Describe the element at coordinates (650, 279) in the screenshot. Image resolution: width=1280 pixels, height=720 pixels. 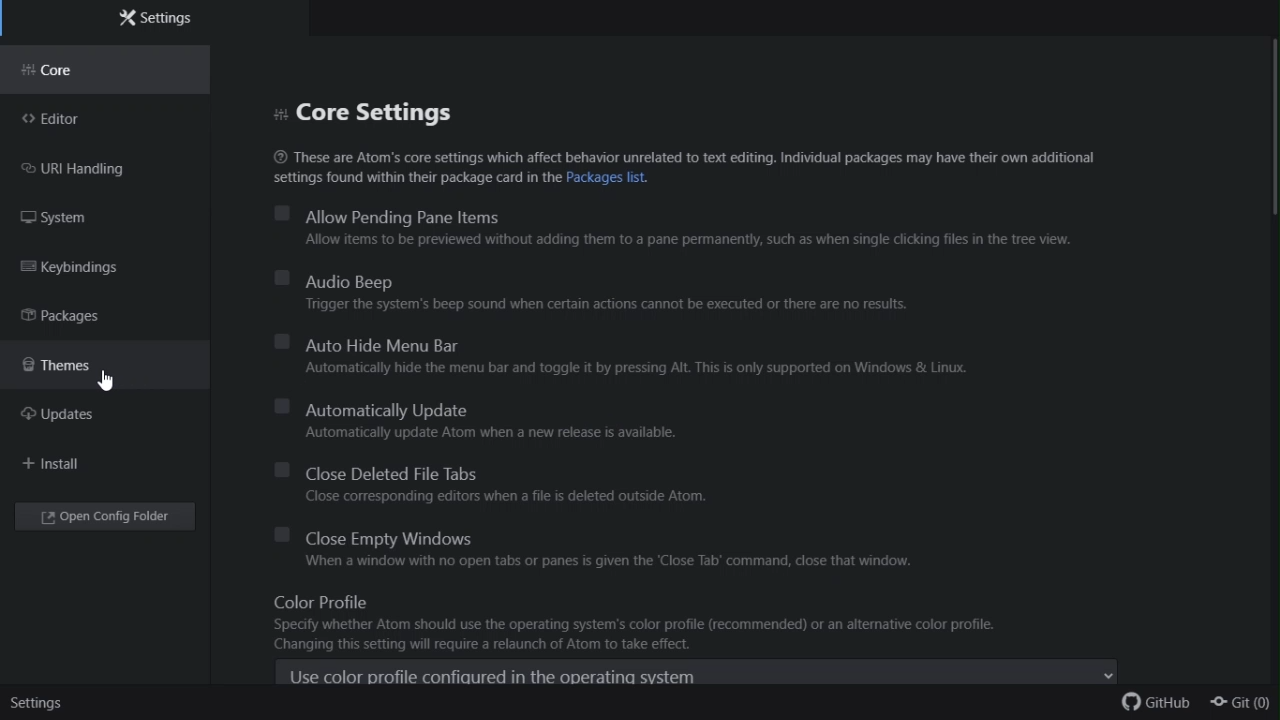
I see `Audio beep` at that location.